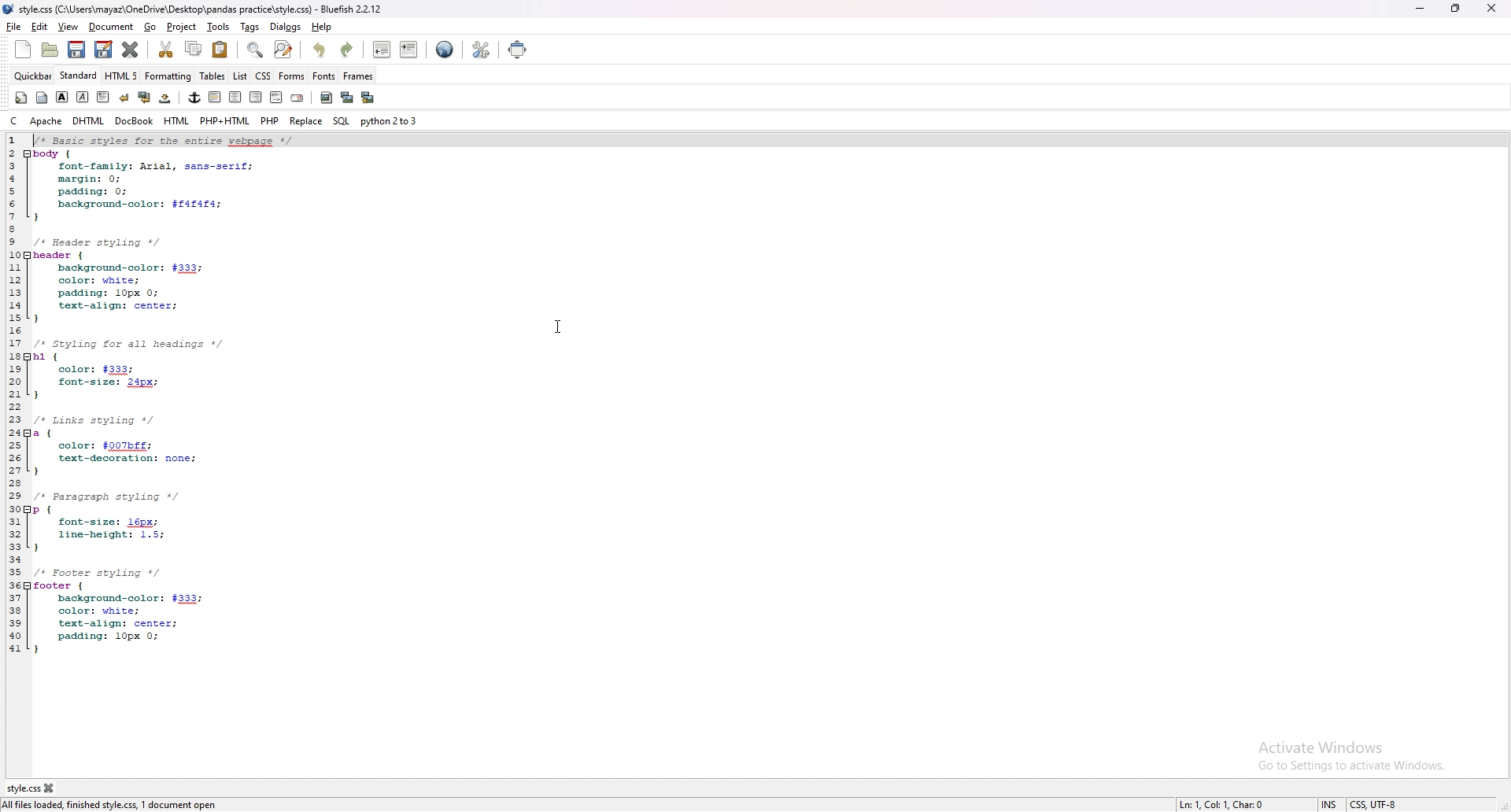 The height and width of the screenshot is (812, 1511). What do you see at coordinates (34, 76) in the screenshot?
I see `quick bar` at bounding box center [34, 76].